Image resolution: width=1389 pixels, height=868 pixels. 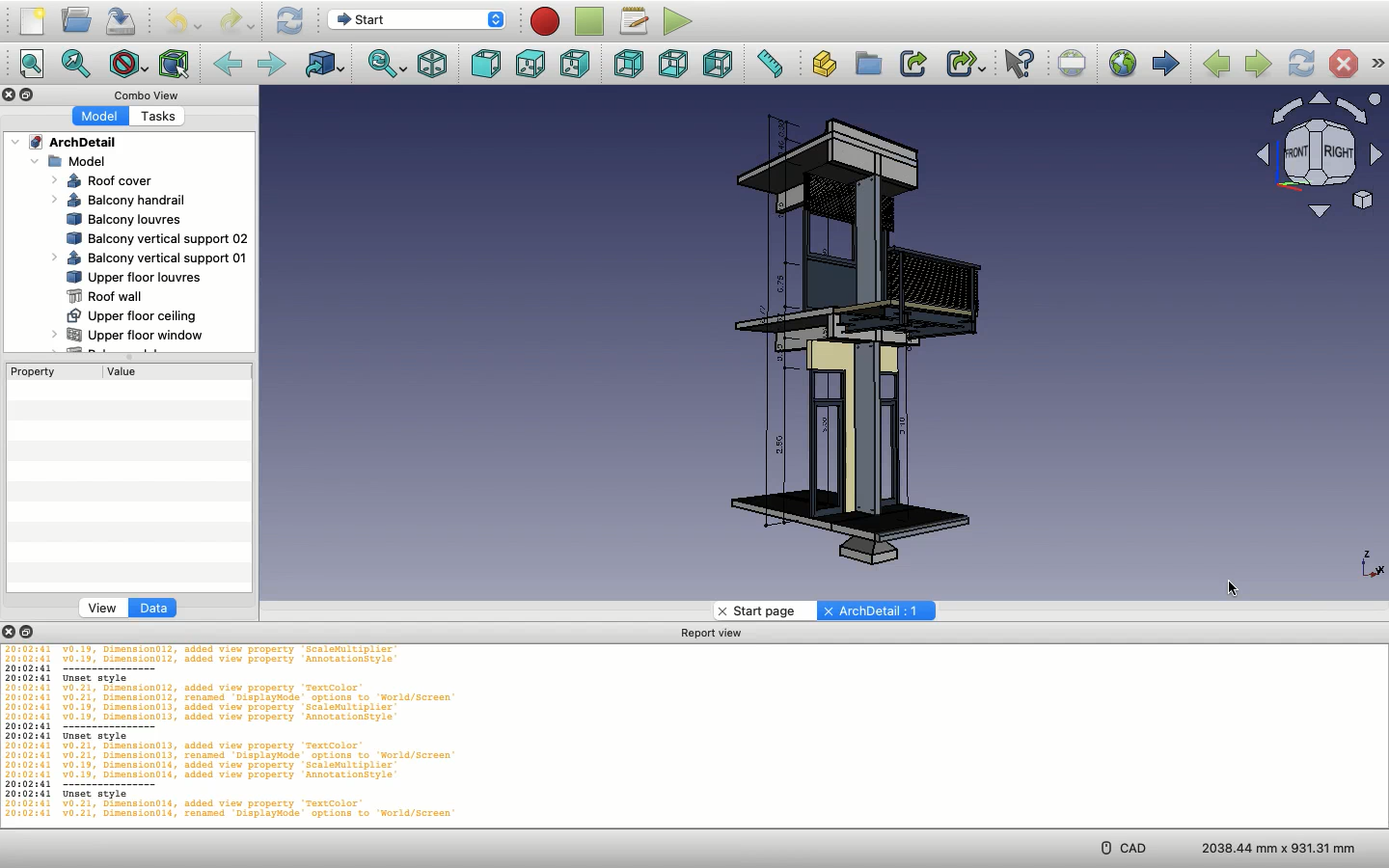 What do you see at coordinates (78, 66) in the screenshot?
I see `Fit selection` at bounding box center [78, 66].